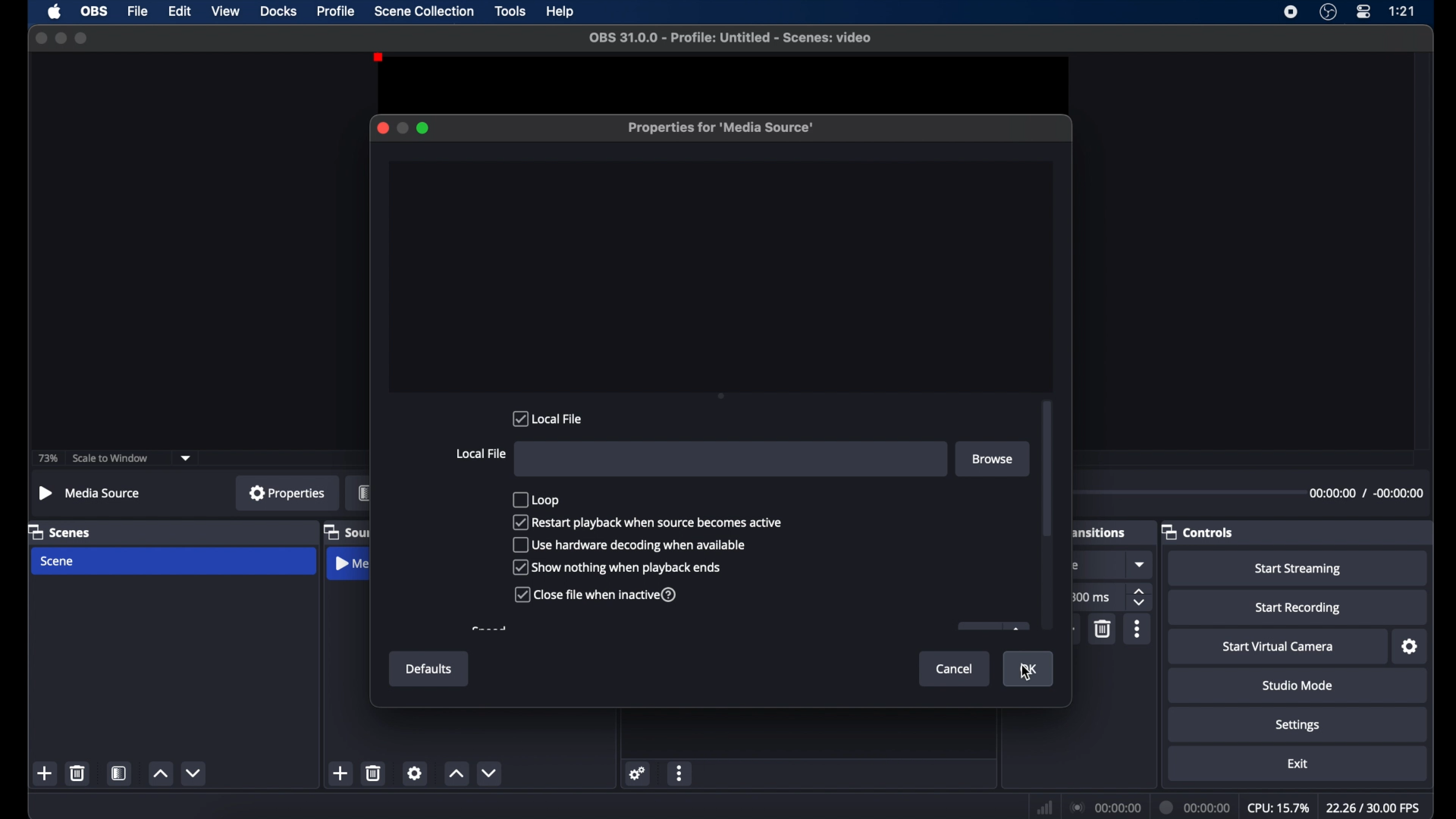 Image resolution: width=1456 pixels, height=819 pixels. Describe the element at coordinates (491, 772) in the screenshot. I see `decrement` at that location.